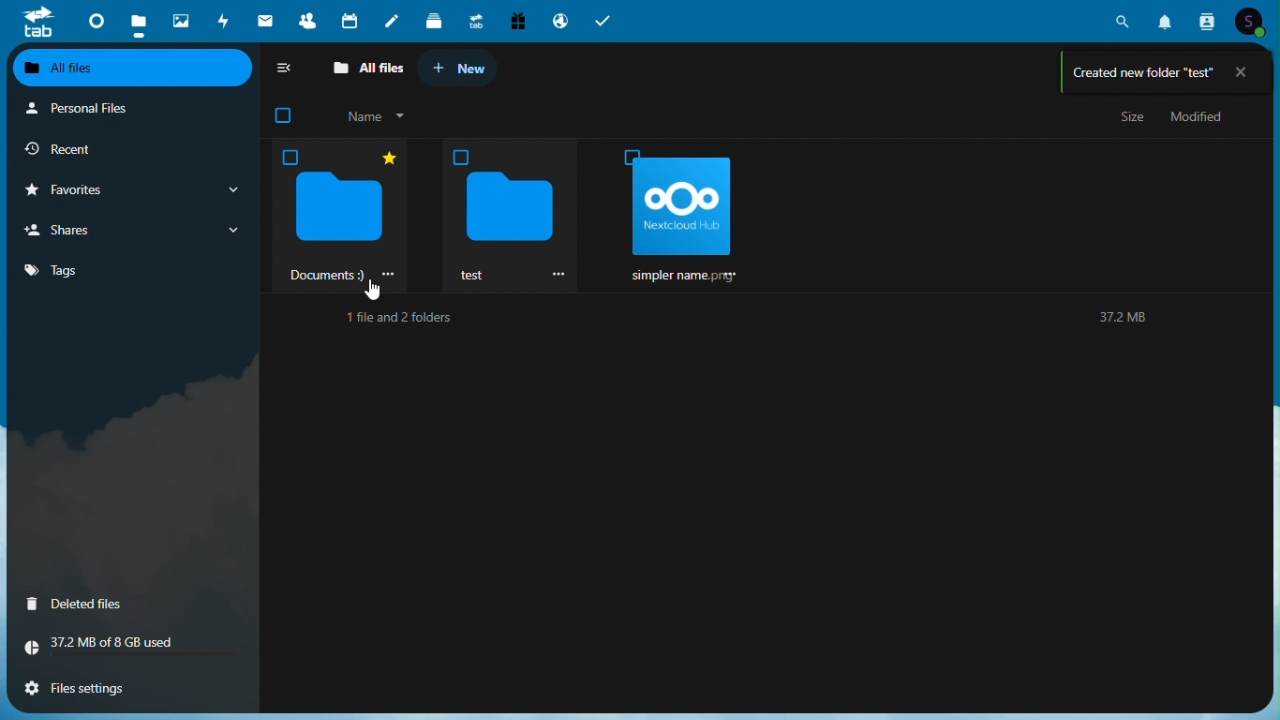 This screenshot has width=1280, height=720. What do you see at coordinates (468, 71) in the screenshot?
I see `+ New` at bounding box center [468, 71].